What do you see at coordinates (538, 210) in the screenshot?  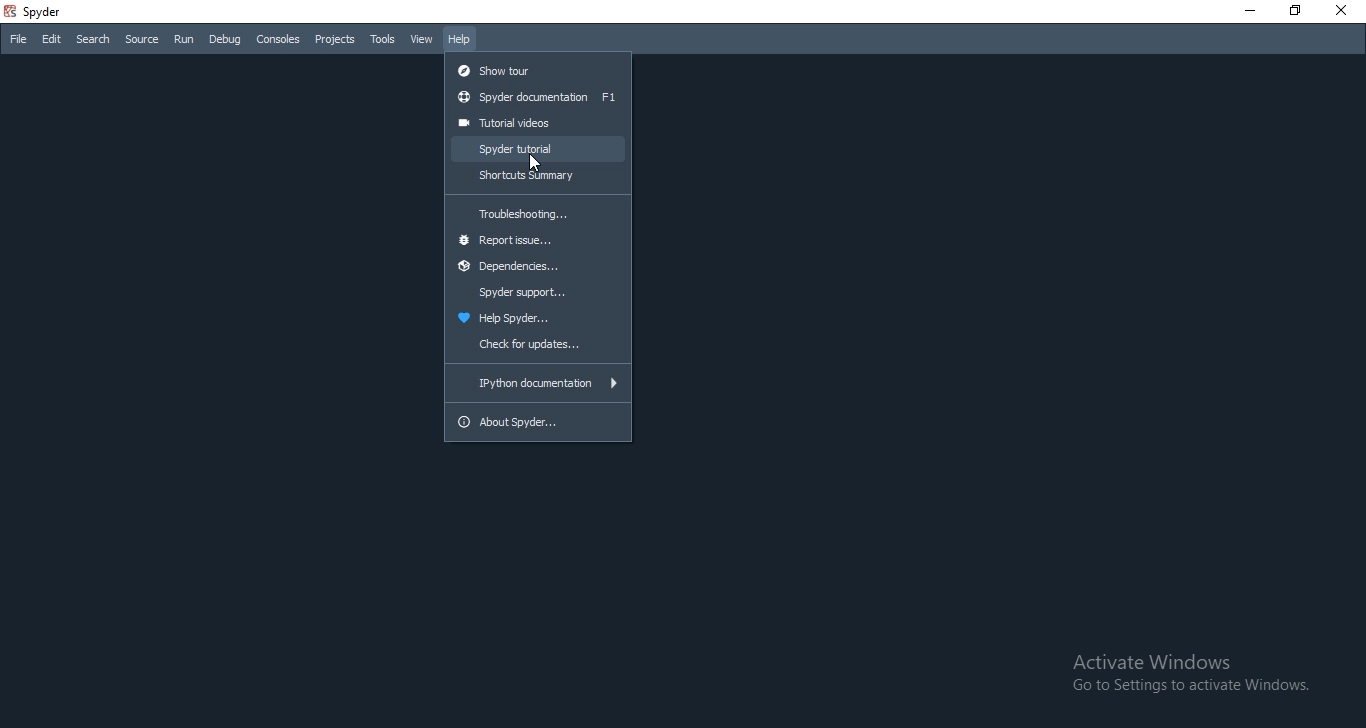 I see `Troubleshooting` at bounding box center [538, 210].